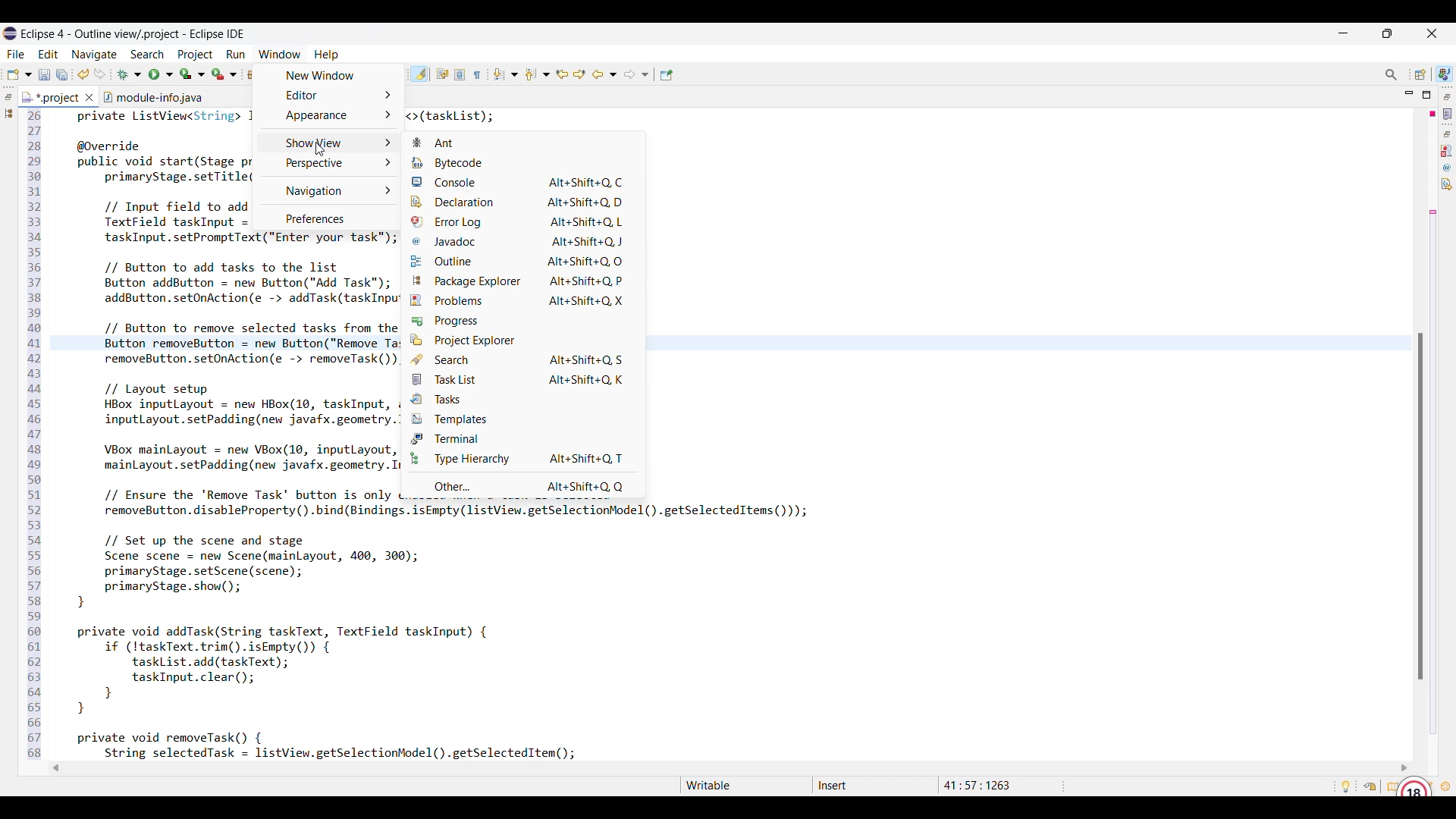  I want to click on Save, so click(45, 75).